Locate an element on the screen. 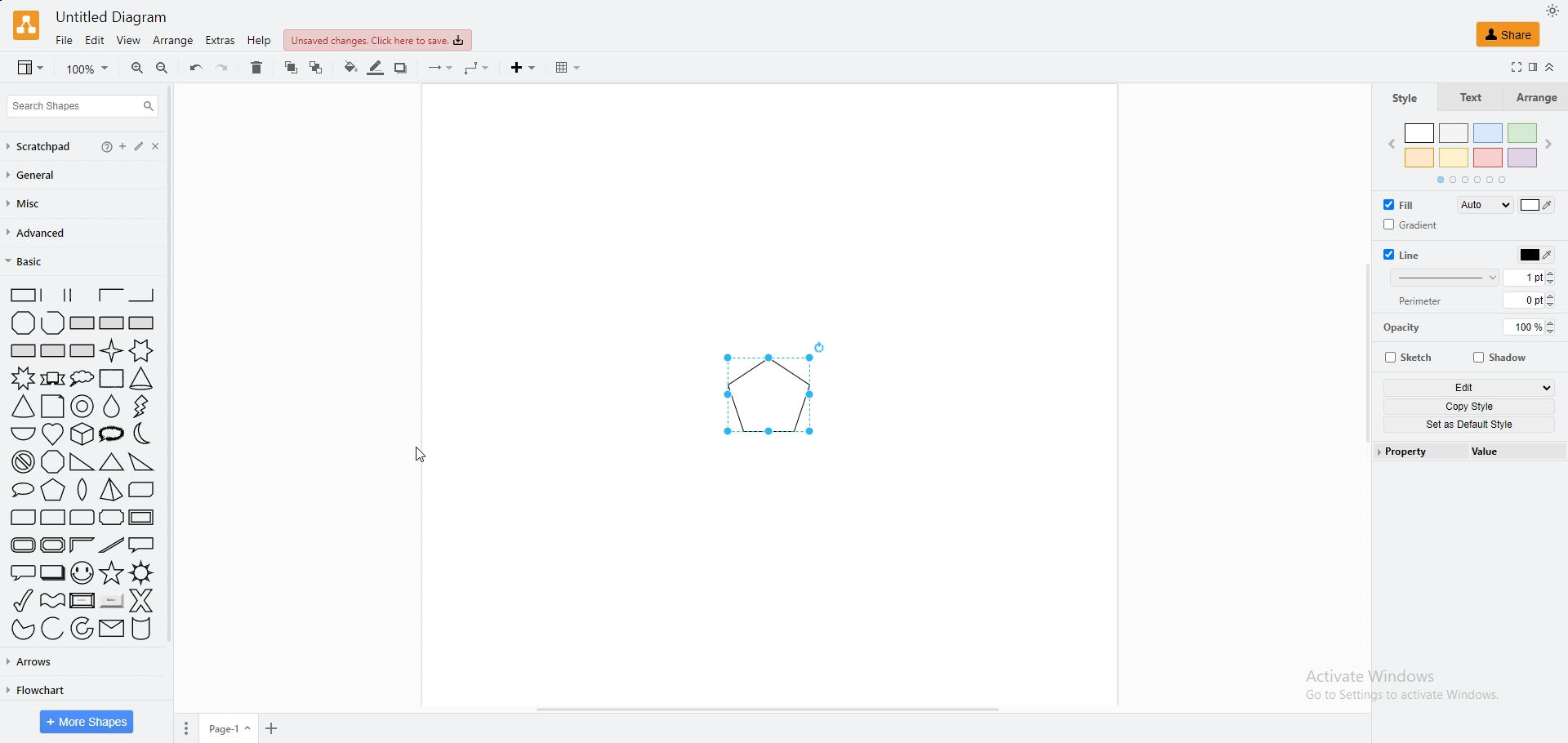 This screenshot has width=1568, height=743. dark mode is located at coordinates (1552, 10).